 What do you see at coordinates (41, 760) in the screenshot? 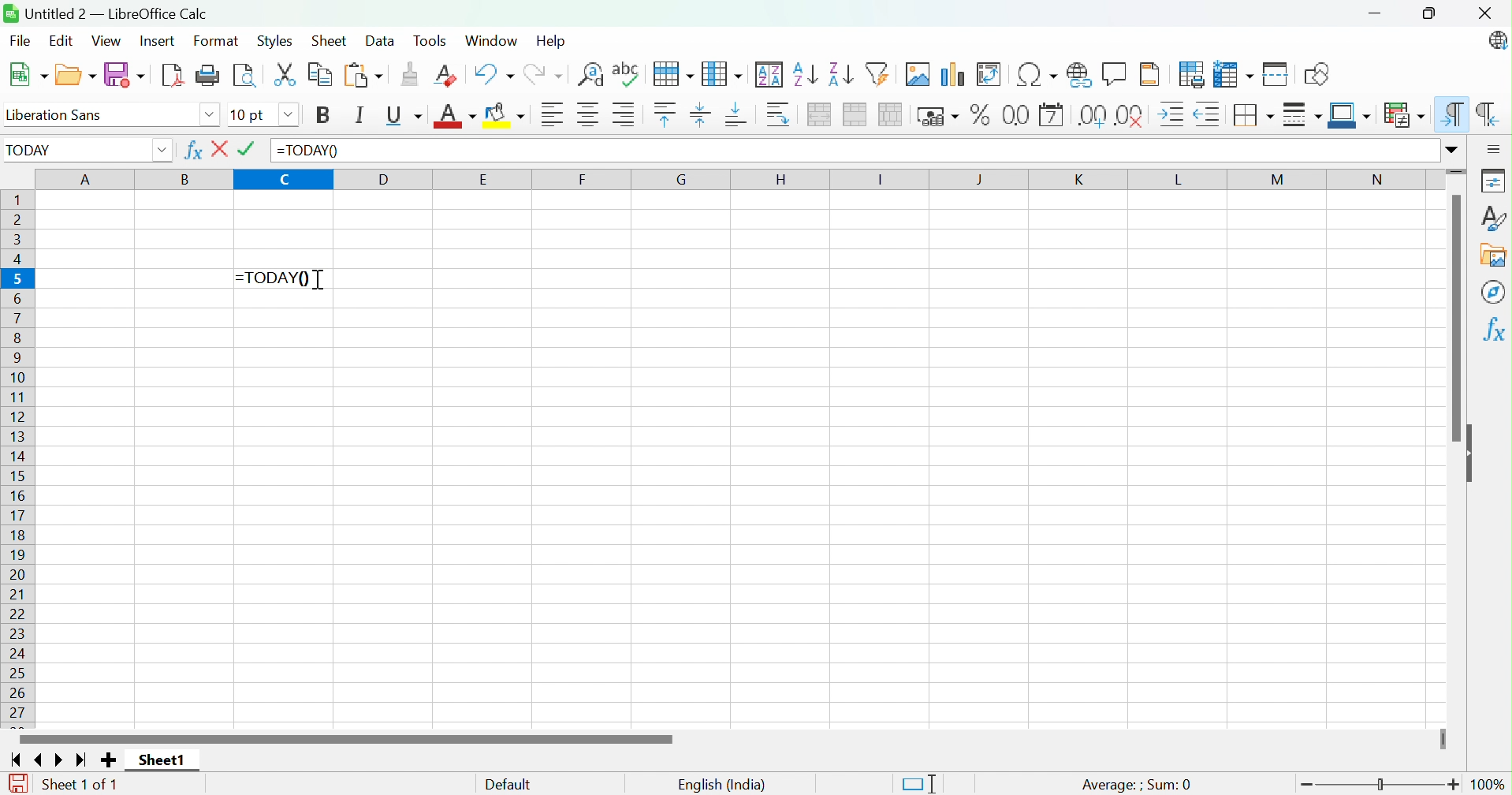
I see `Scroll to previous sheet` at bounding box center [41, 760].